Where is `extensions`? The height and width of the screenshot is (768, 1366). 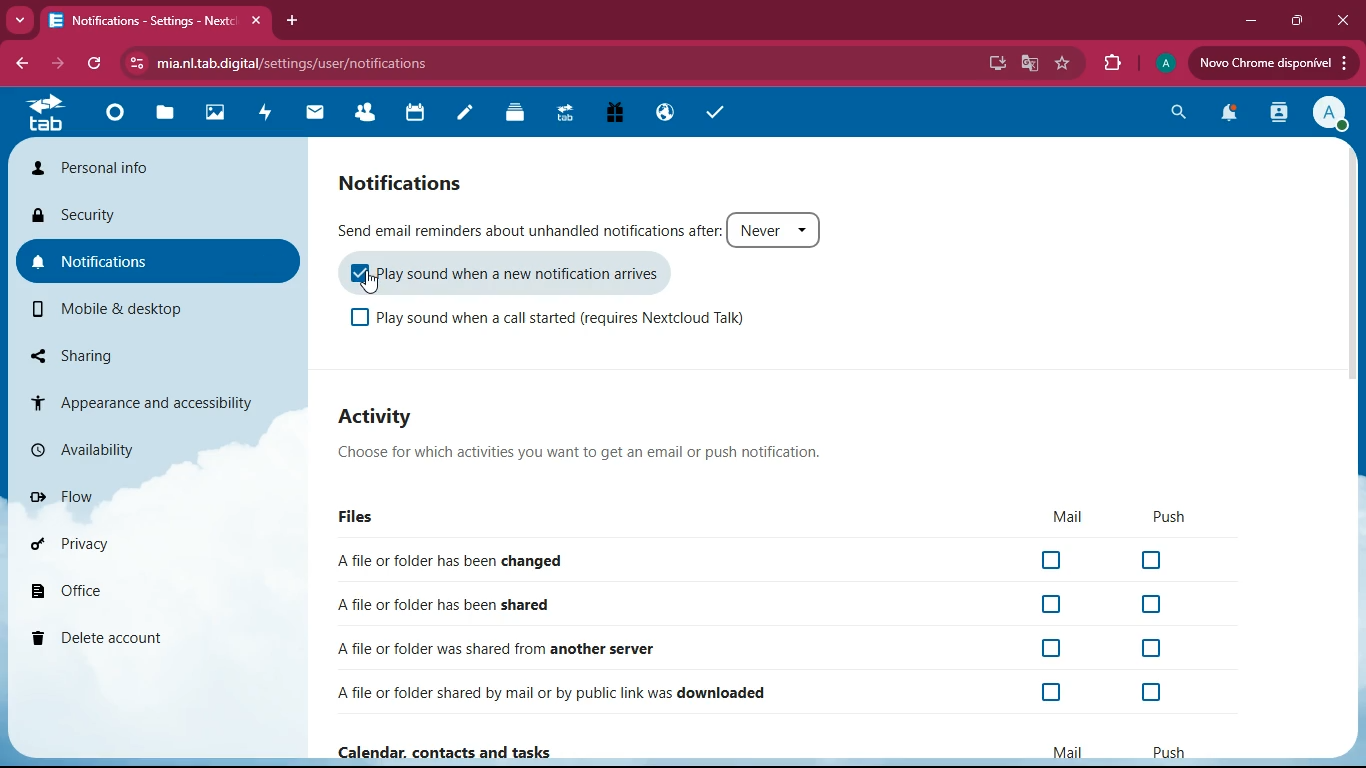 extensions is located at coordinates (1112, 64).